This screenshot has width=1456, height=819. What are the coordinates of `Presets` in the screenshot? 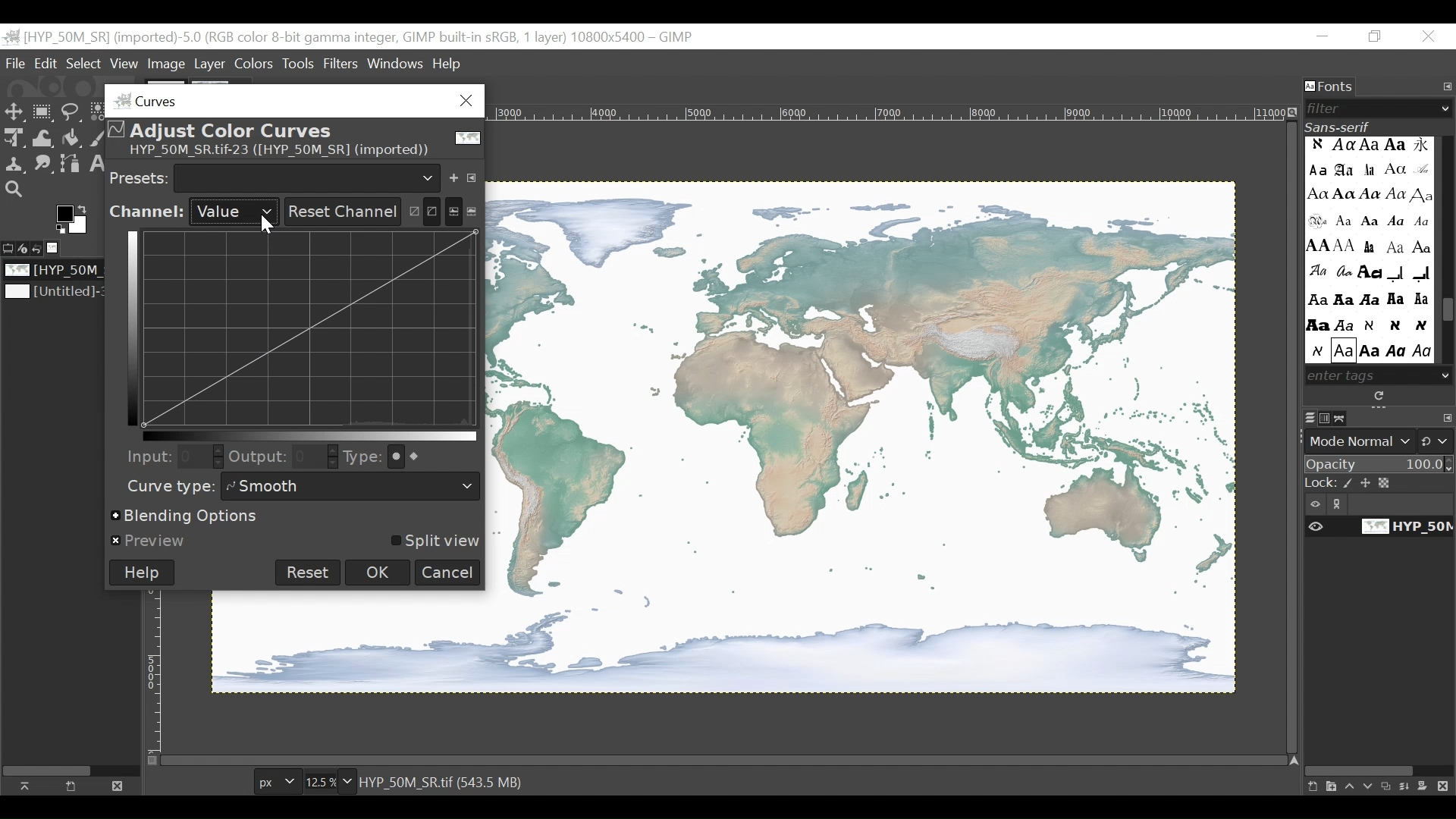 It's located at (140, 177).